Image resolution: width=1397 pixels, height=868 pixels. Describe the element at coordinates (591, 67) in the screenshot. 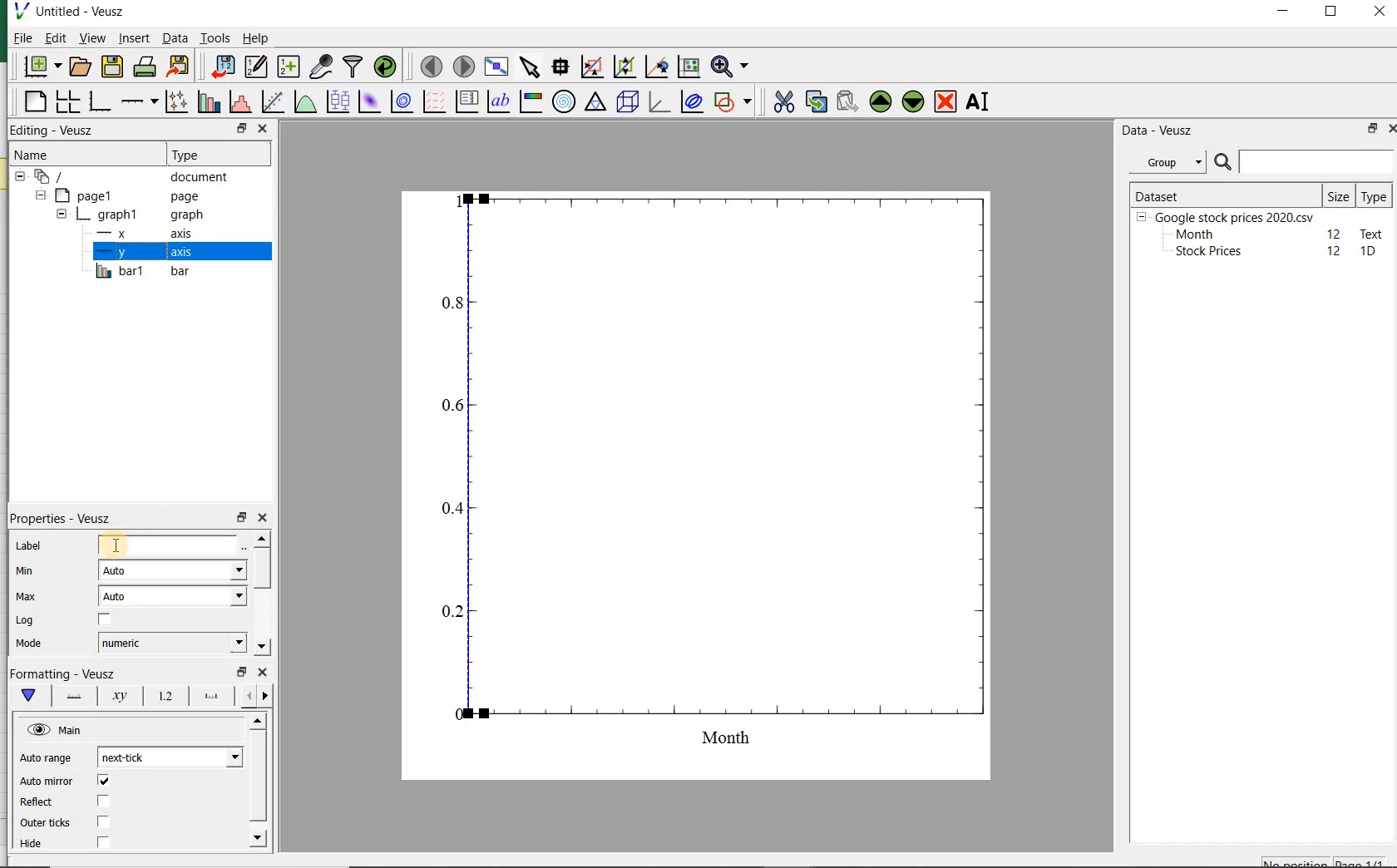

I see `click or draw a rectangle to zoom graph axes` at that location.